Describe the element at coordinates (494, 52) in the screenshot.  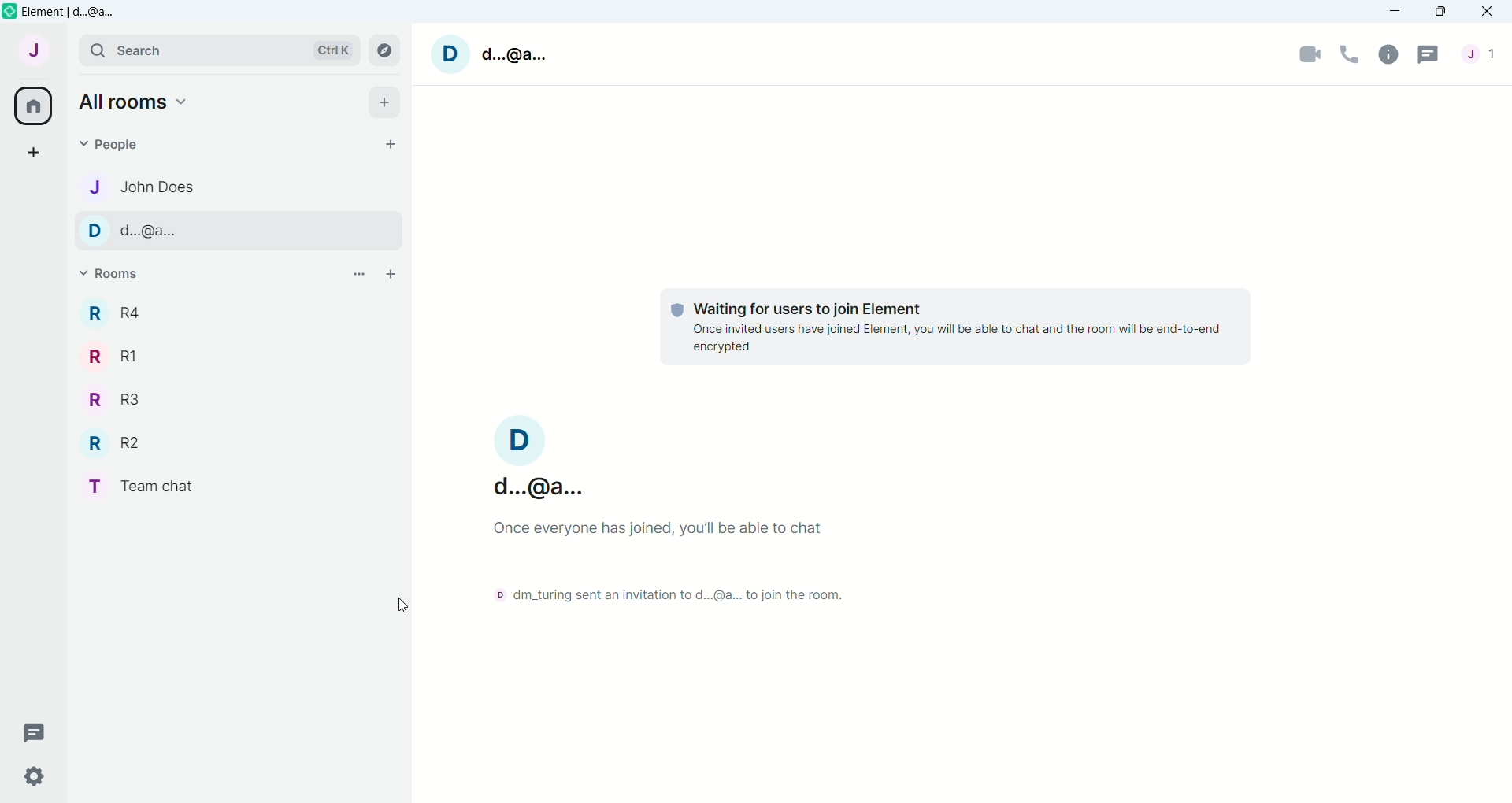
I see `User name` at that location.